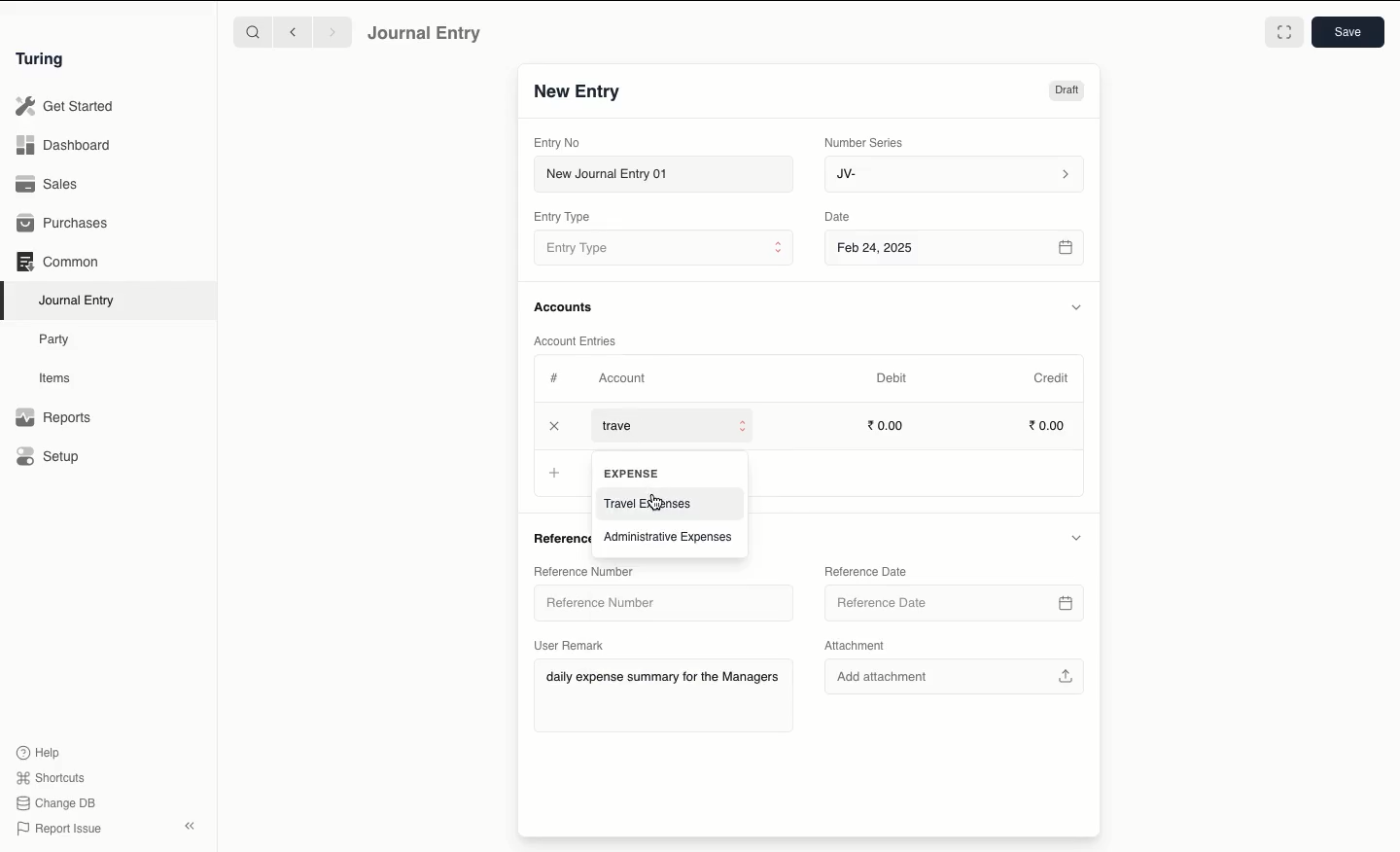  What do you see at coordinates (39, 753) in the screenshot?
I see `Help` at bounding box center [39, 753].